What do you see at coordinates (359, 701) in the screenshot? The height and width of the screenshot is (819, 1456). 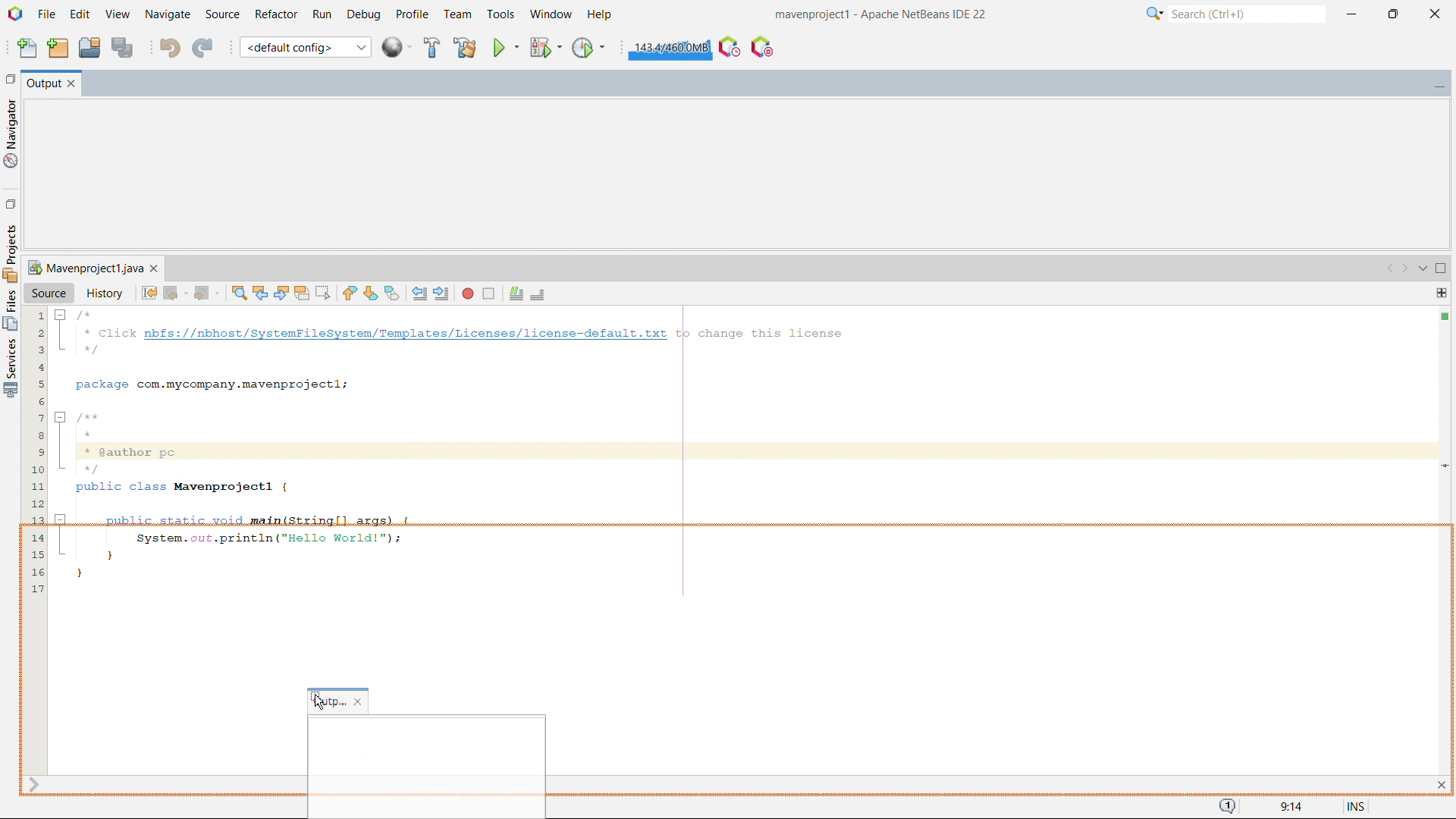 I see `close` at bounding box center [359, 701].